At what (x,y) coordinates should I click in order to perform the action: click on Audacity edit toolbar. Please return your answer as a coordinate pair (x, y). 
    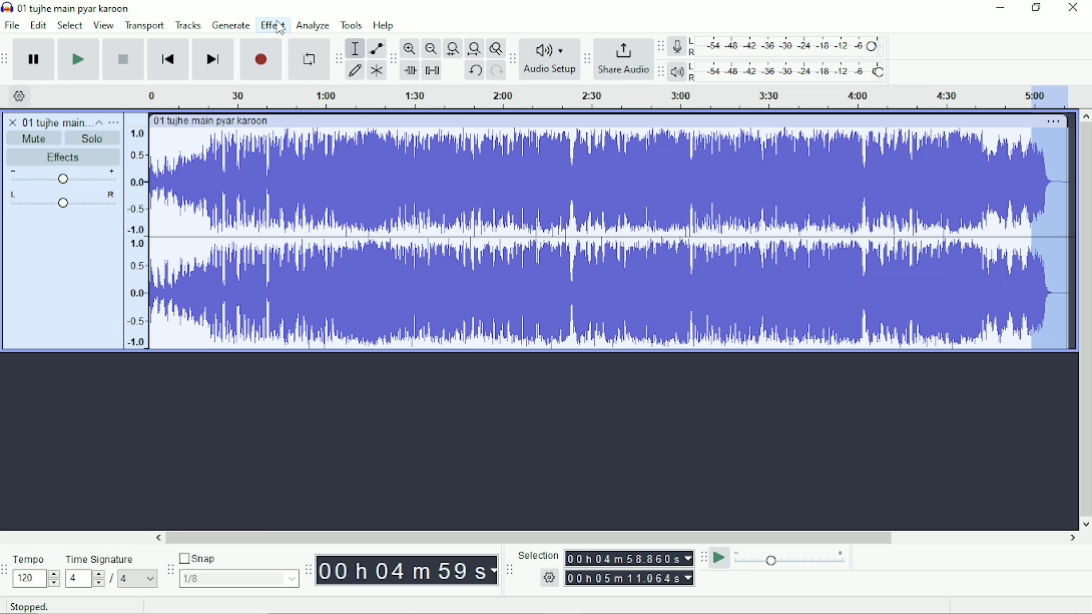
    Looking at the image, I should click on (391, 59).